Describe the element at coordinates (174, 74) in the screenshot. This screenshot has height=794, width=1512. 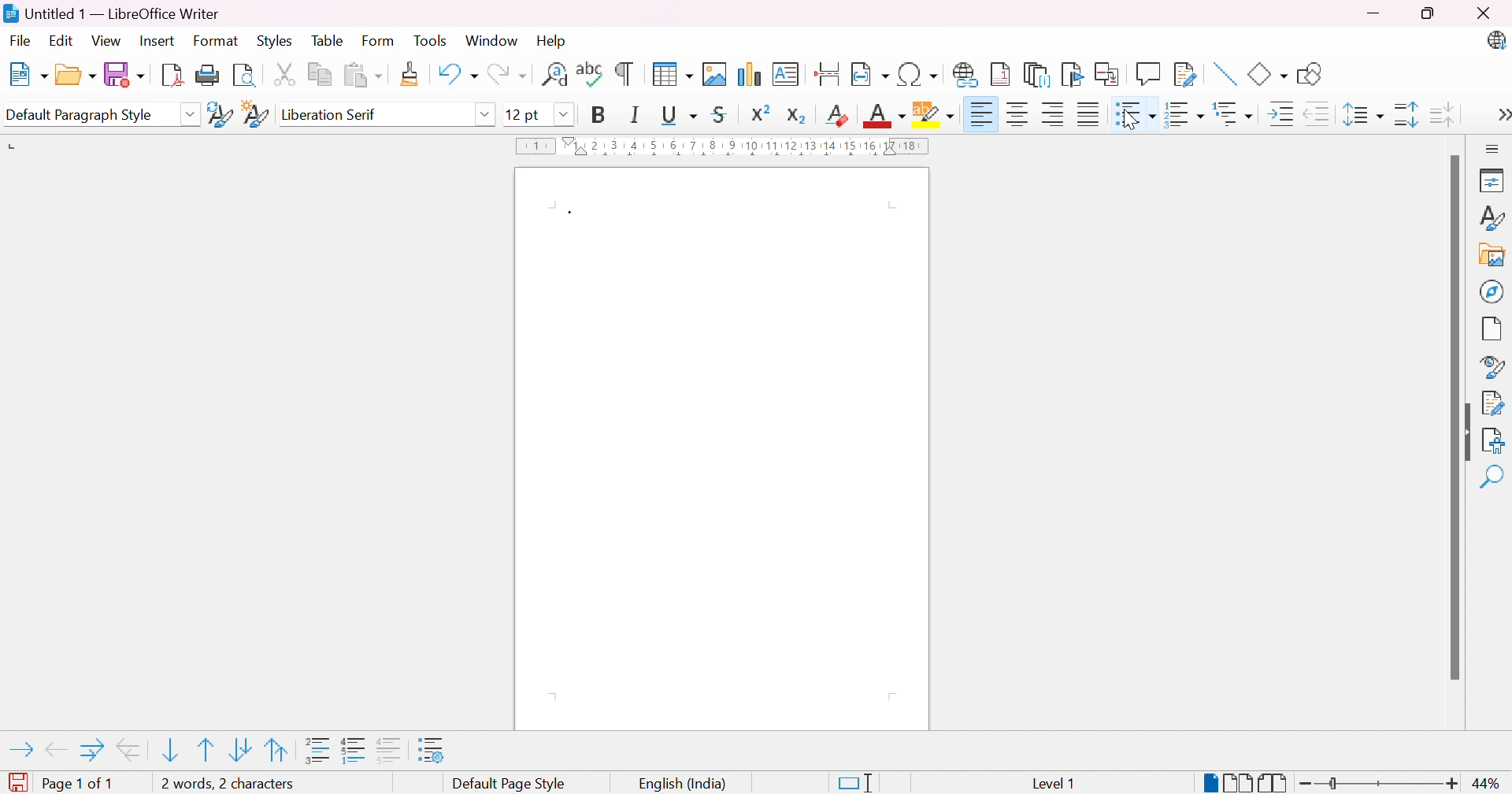
I see `Export as PDF` at that location.